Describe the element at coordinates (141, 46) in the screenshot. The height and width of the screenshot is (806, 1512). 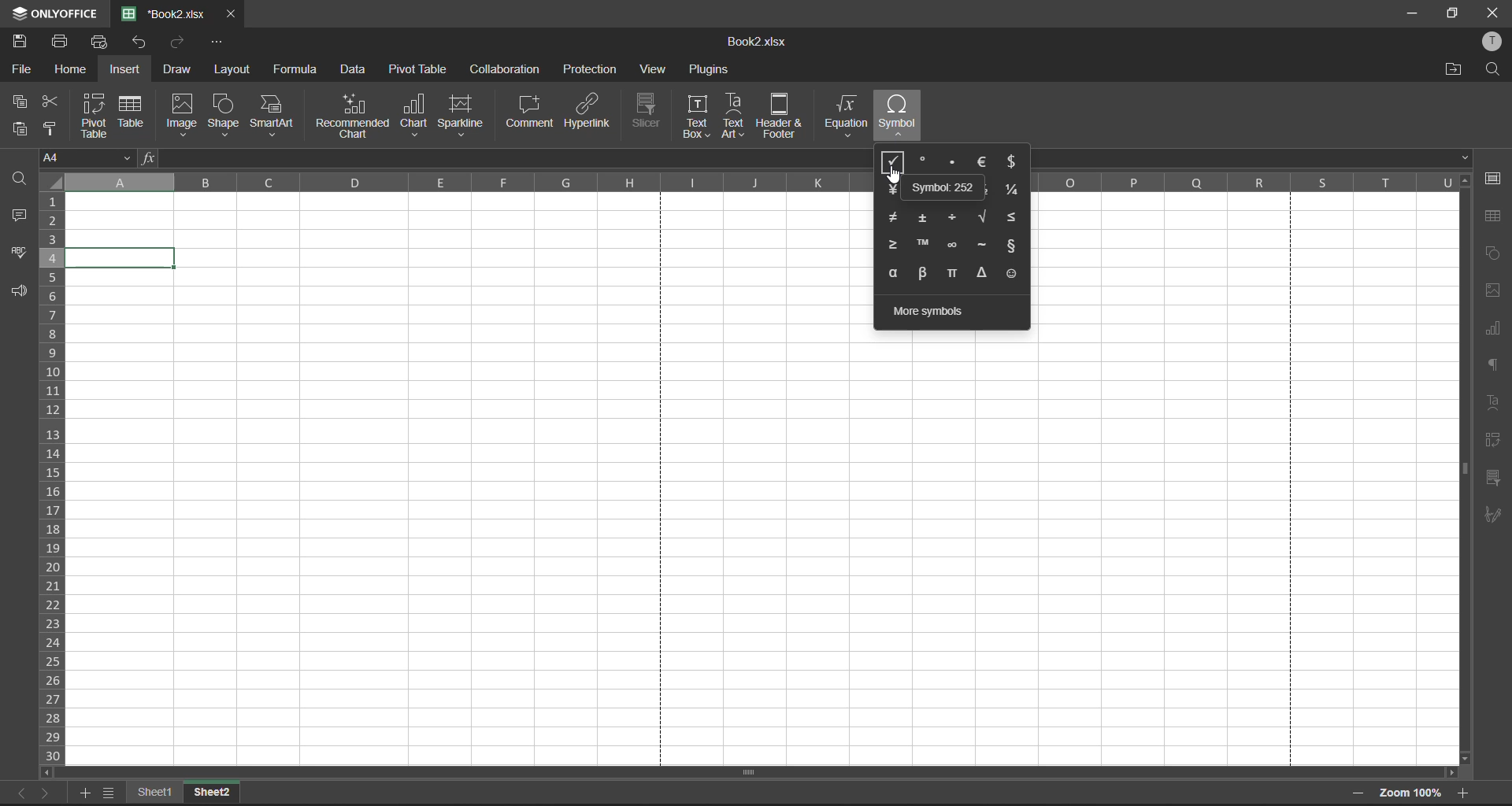
I see `undo` at that location.